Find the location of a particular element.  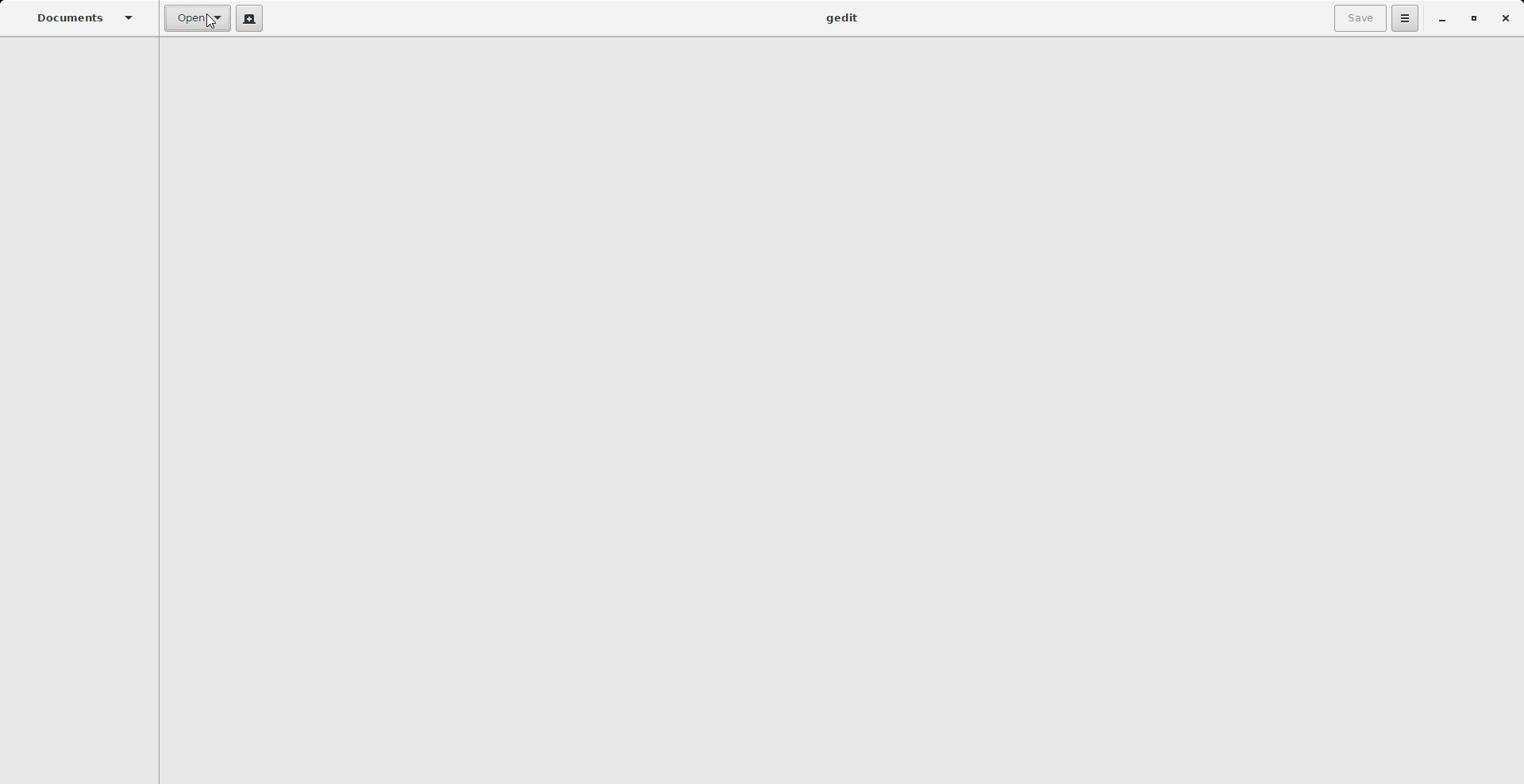

Minimize is located at coordinates (1443, 22).